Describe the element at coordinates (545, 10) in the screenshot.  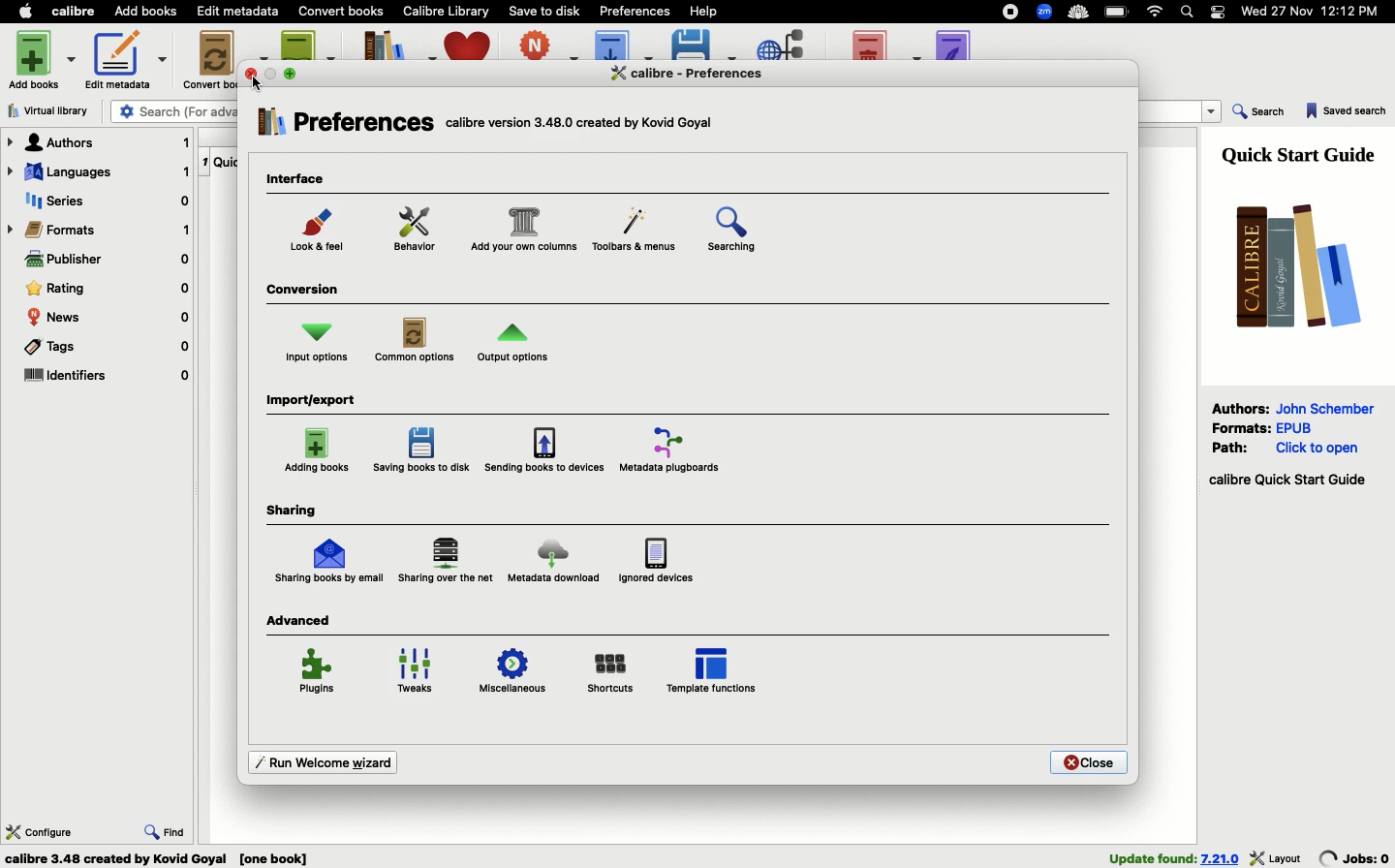
I see `Save to disk` at that location.